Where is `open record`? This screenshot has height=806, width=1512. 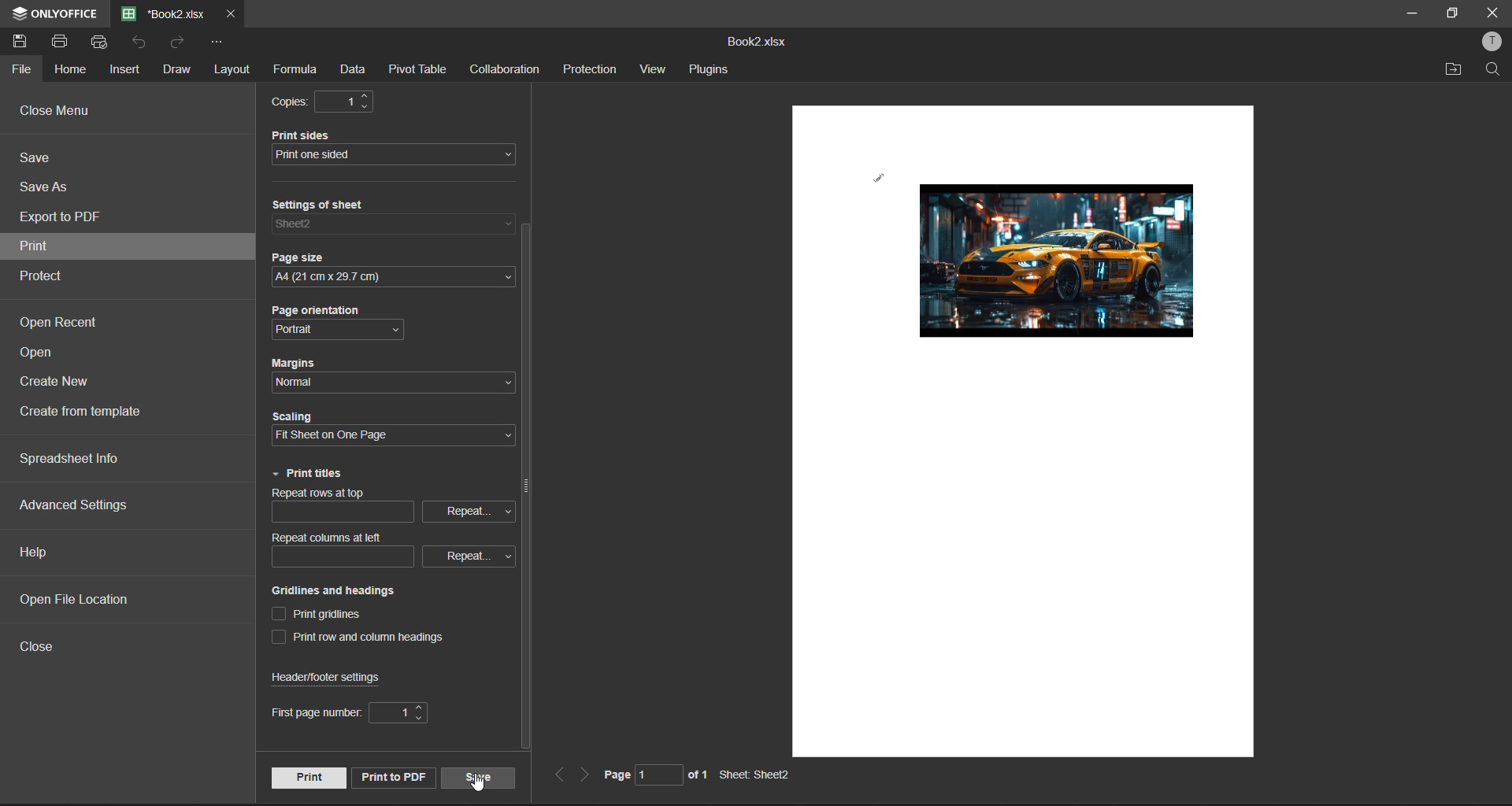 open record is located at coordinates (61, 323).